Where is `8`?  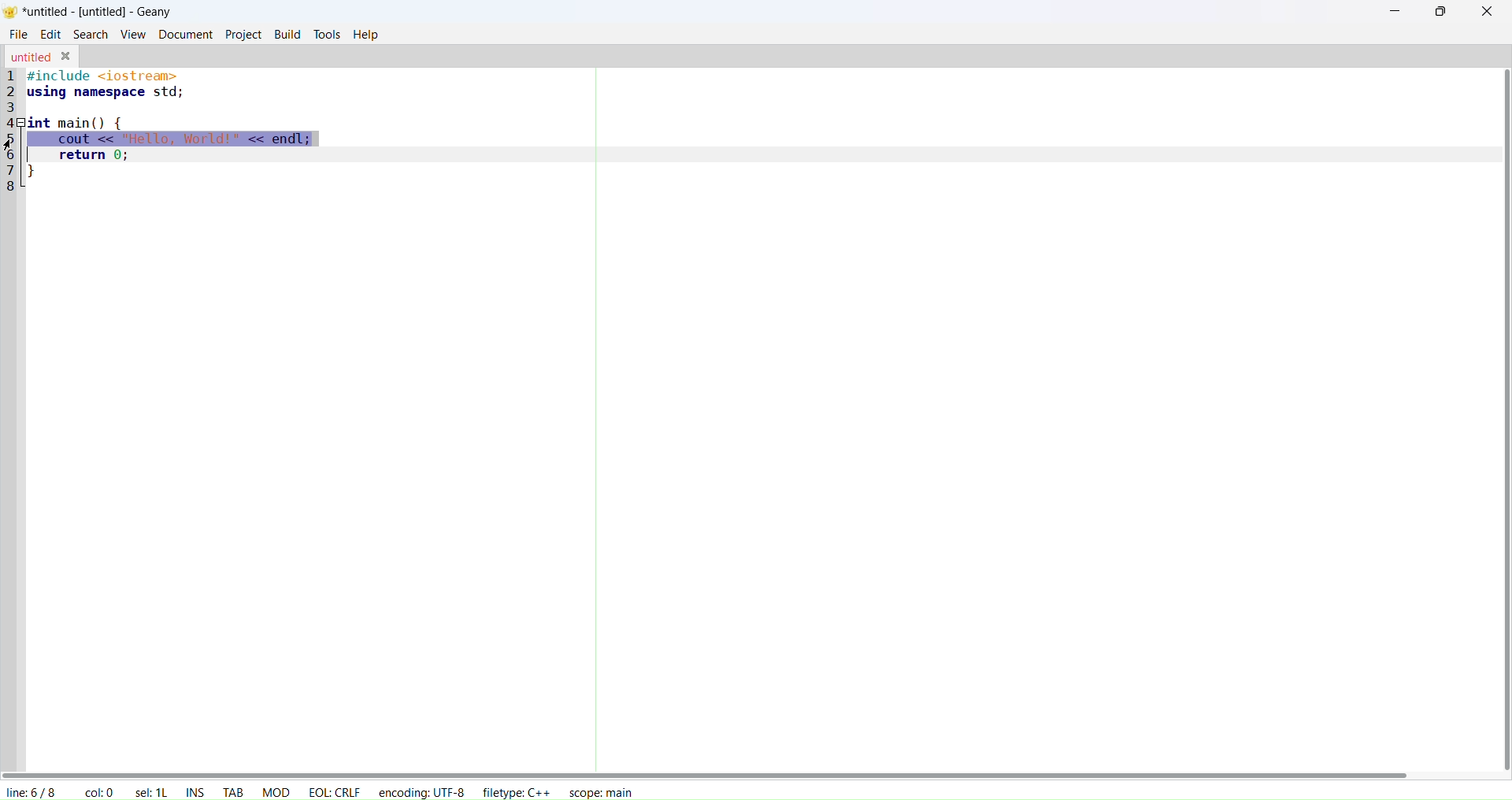
8 is located at coordinates (12, 186).